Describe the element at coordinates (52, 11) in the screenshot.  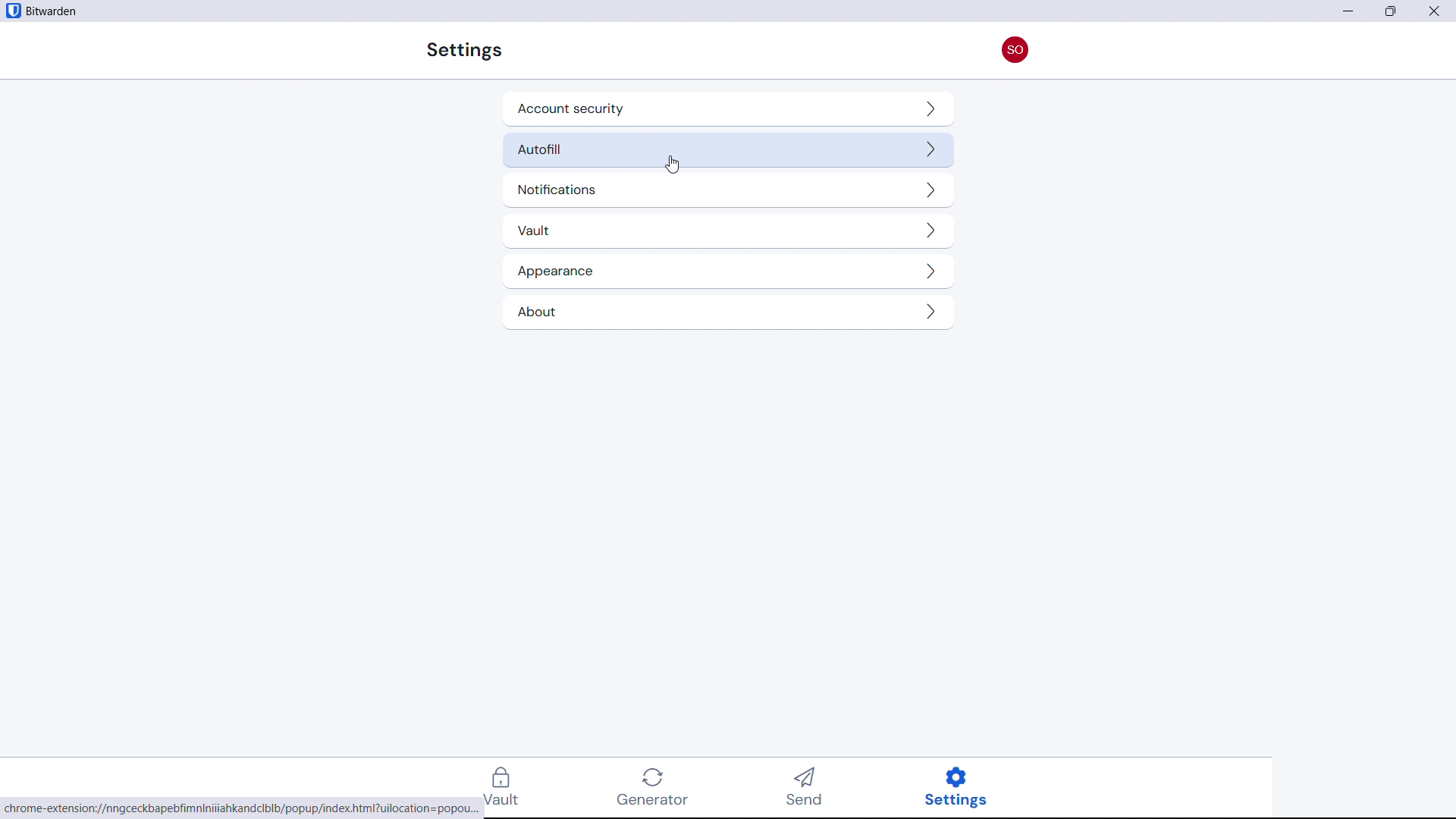
I see `title` at that location.